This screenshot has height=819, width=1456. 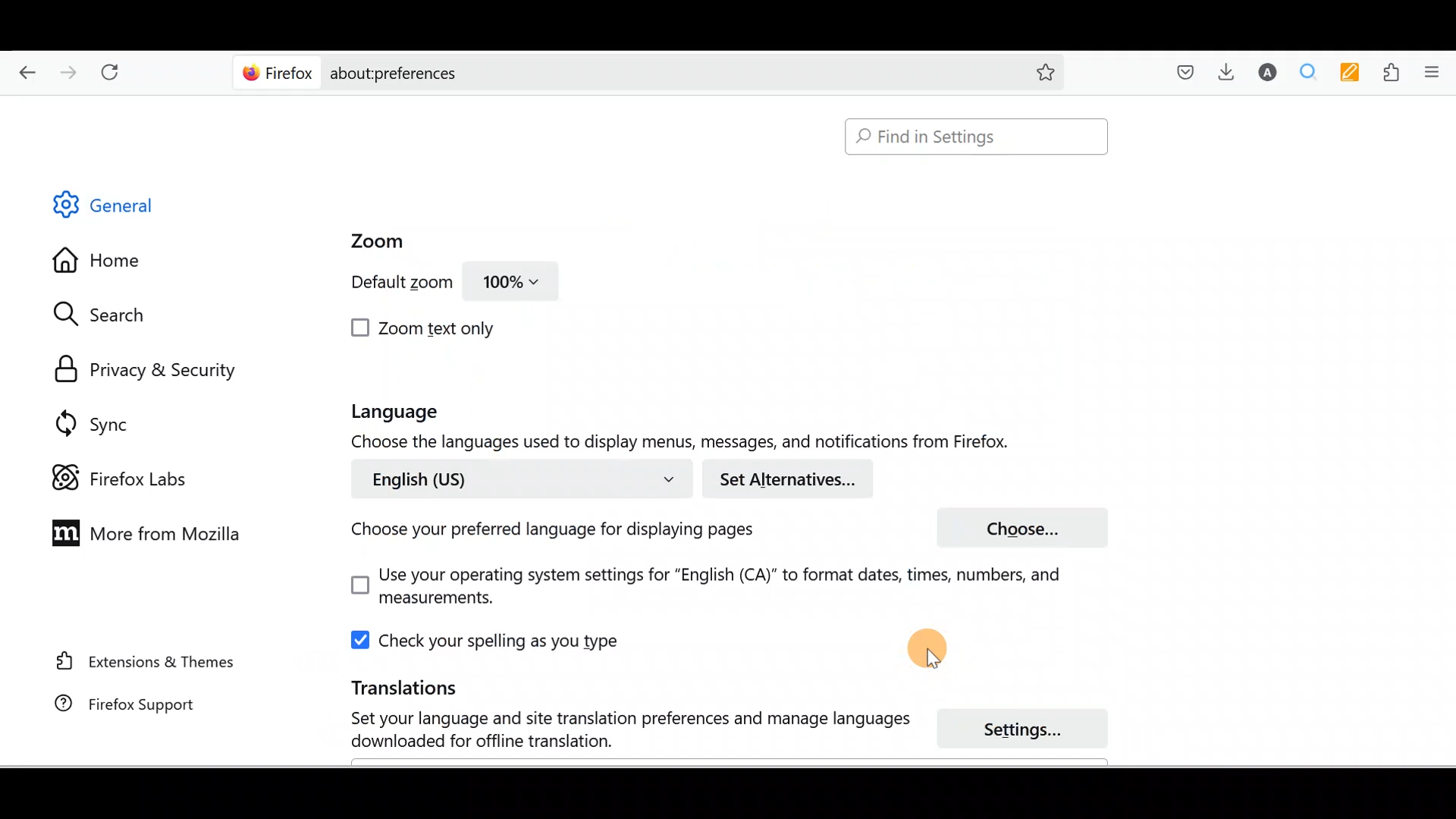 What do you see at coordinates (694, 444) in the screenshot?
I see `Choose the languages used to display menu, messages and notifications from Firefox` at bounding box center [694, 444].